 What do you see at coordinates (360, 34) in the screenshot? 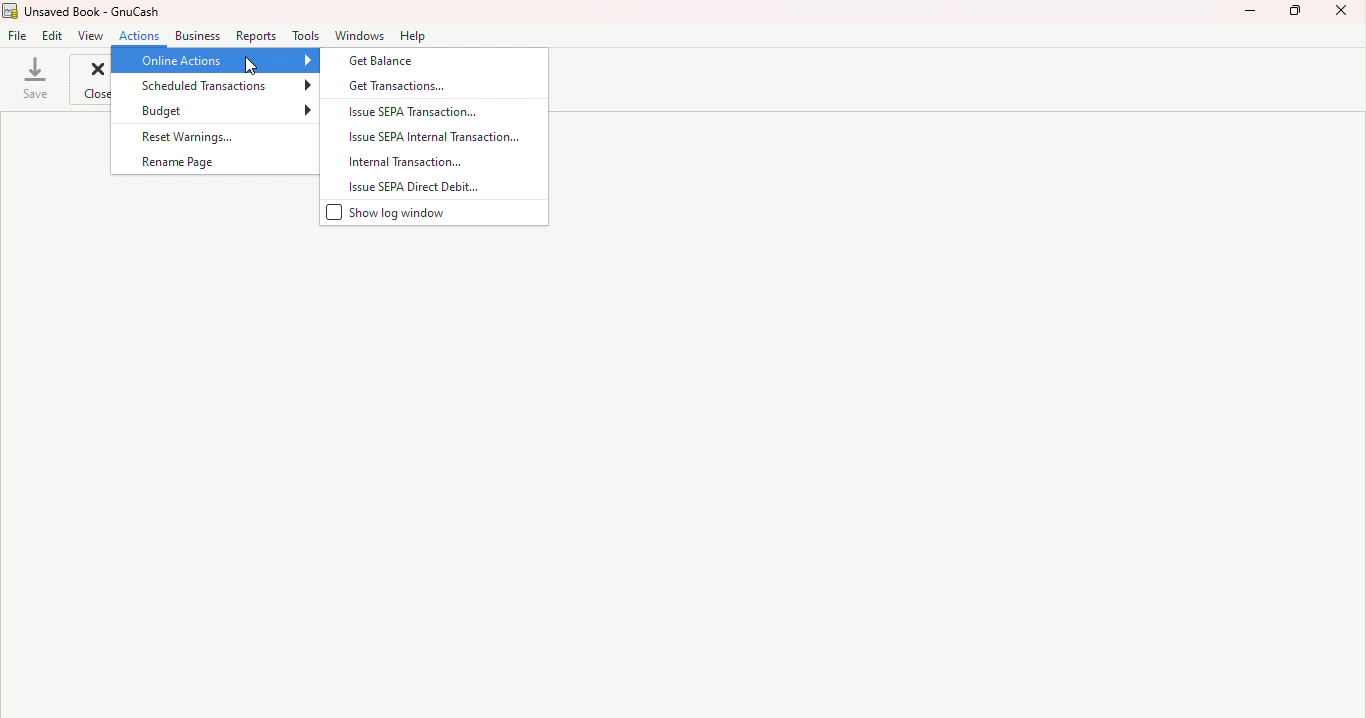
I see `Windows` at bounding box center [360, 34].